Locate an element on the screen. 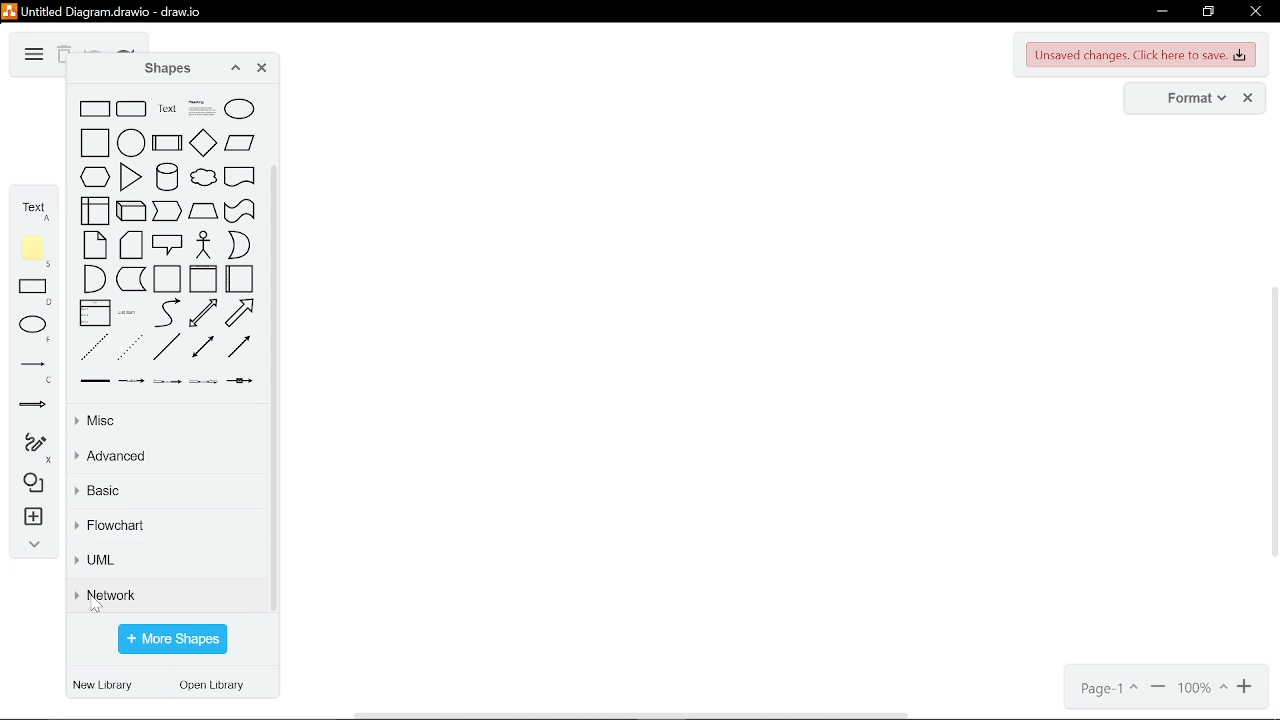  current zoom is located at coordinates (1203, 689).